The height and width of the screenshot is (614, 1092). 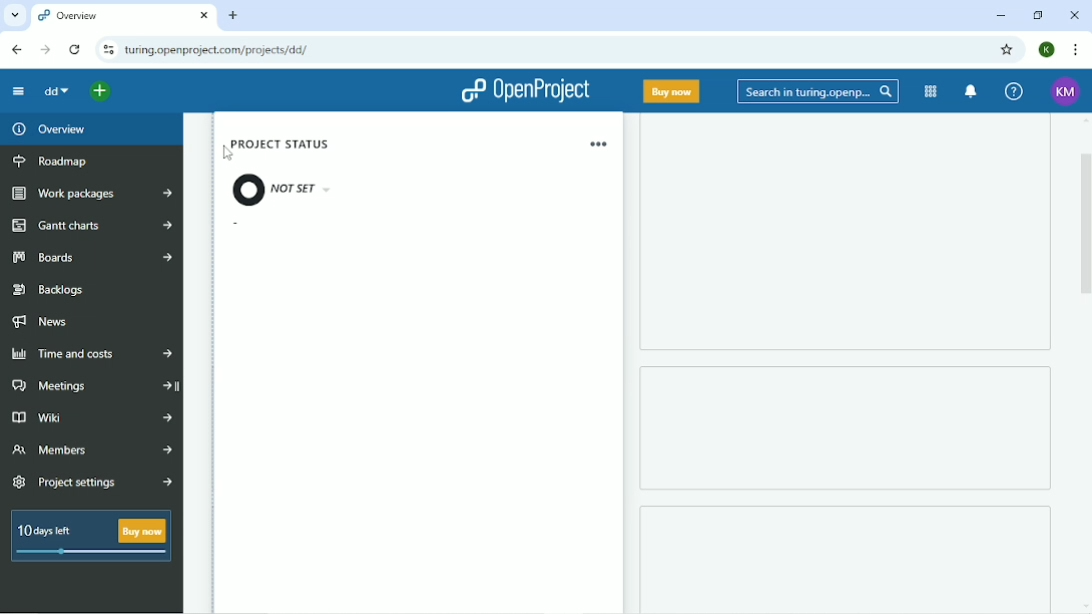 I want to click on Reload this page, so click(x=76, y=50).